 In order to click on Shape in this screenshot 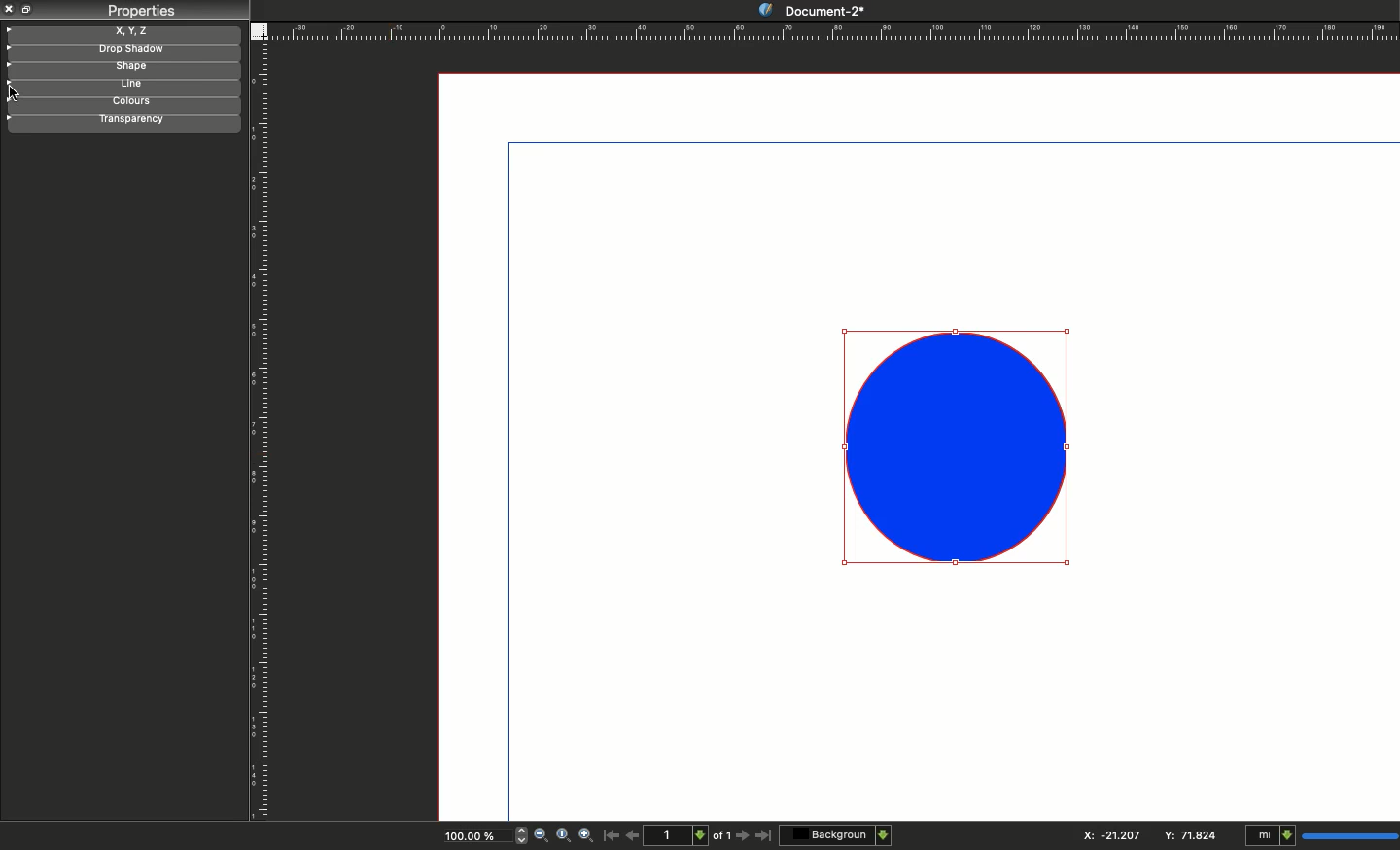, I will do `click(960, 446)`.